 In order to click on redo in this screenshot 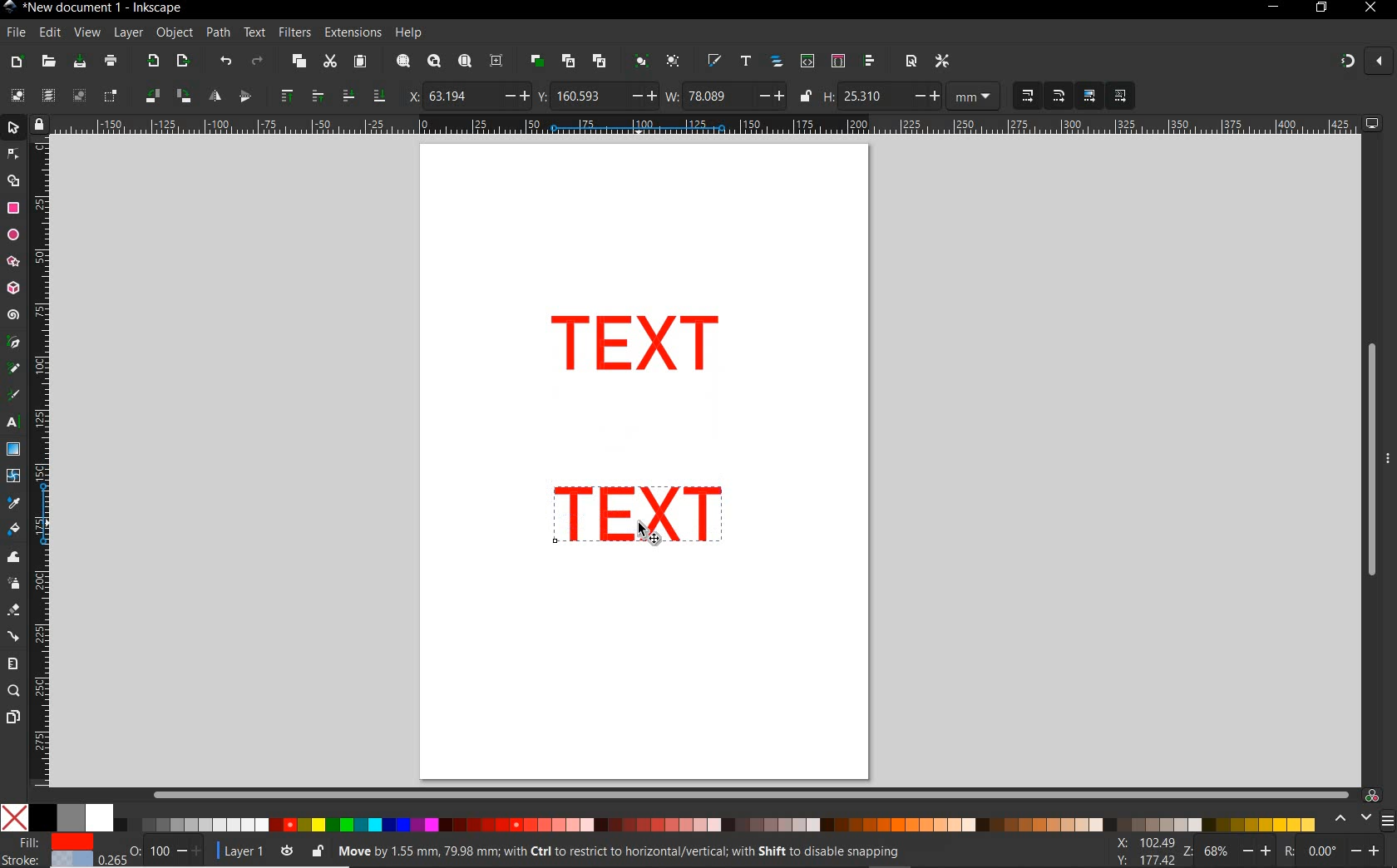, I will do `click(257, 61)`.